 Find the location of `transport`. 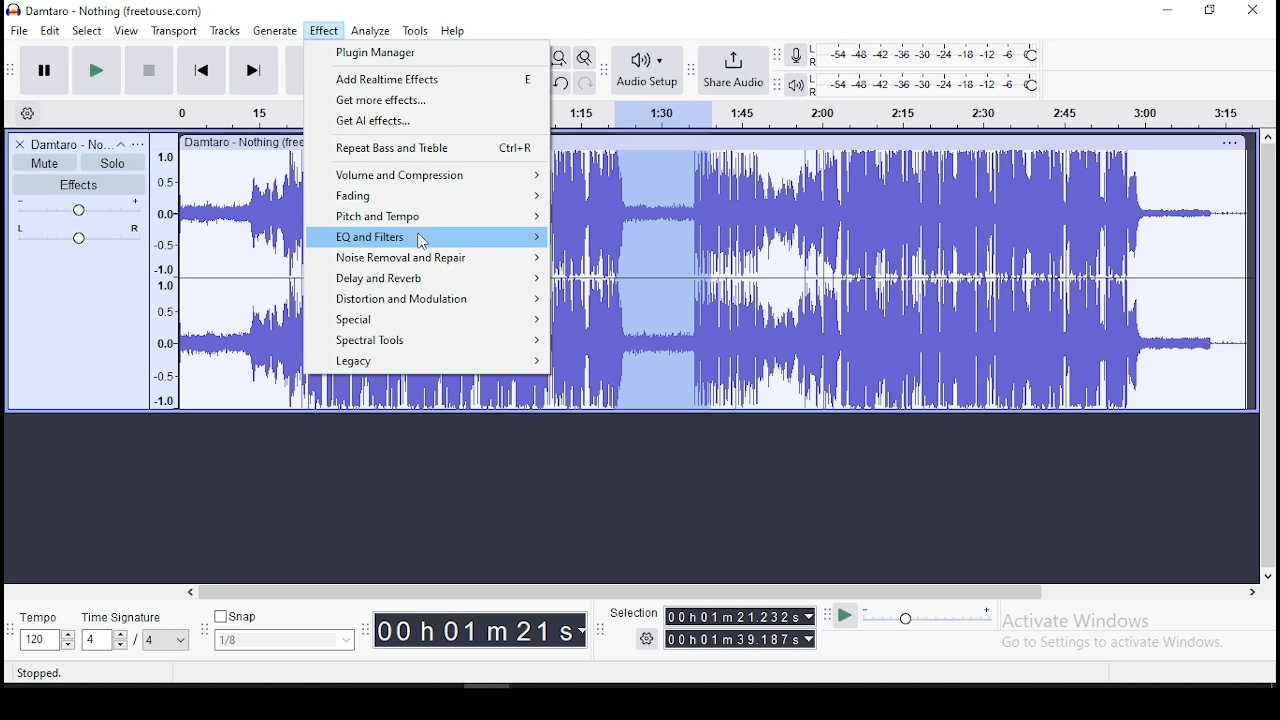

transport is located at coordinates (174, 31).